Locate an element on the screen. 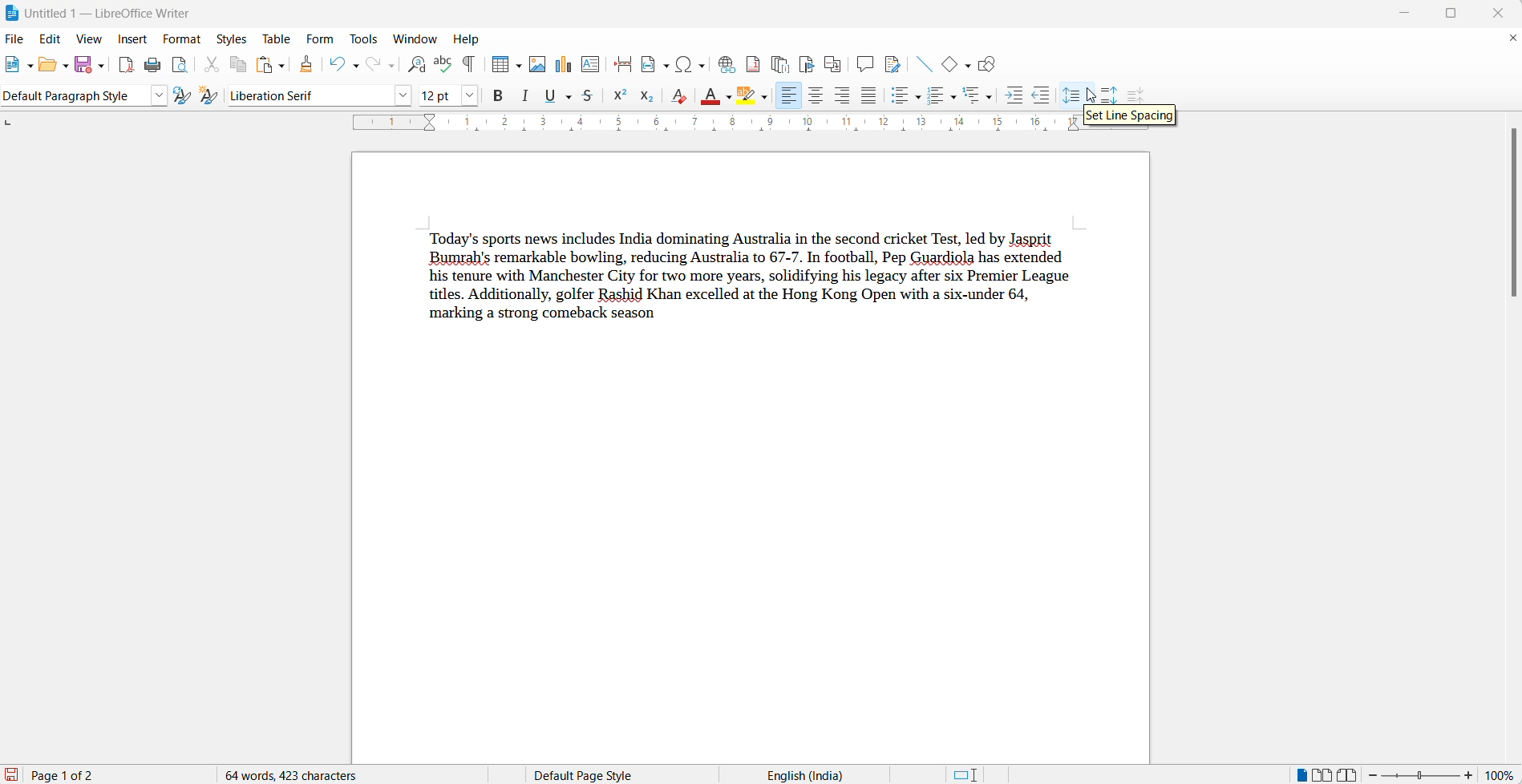 The width and height of the screenshot is (1522, 784). insert line is located at coordinates (925, 64).